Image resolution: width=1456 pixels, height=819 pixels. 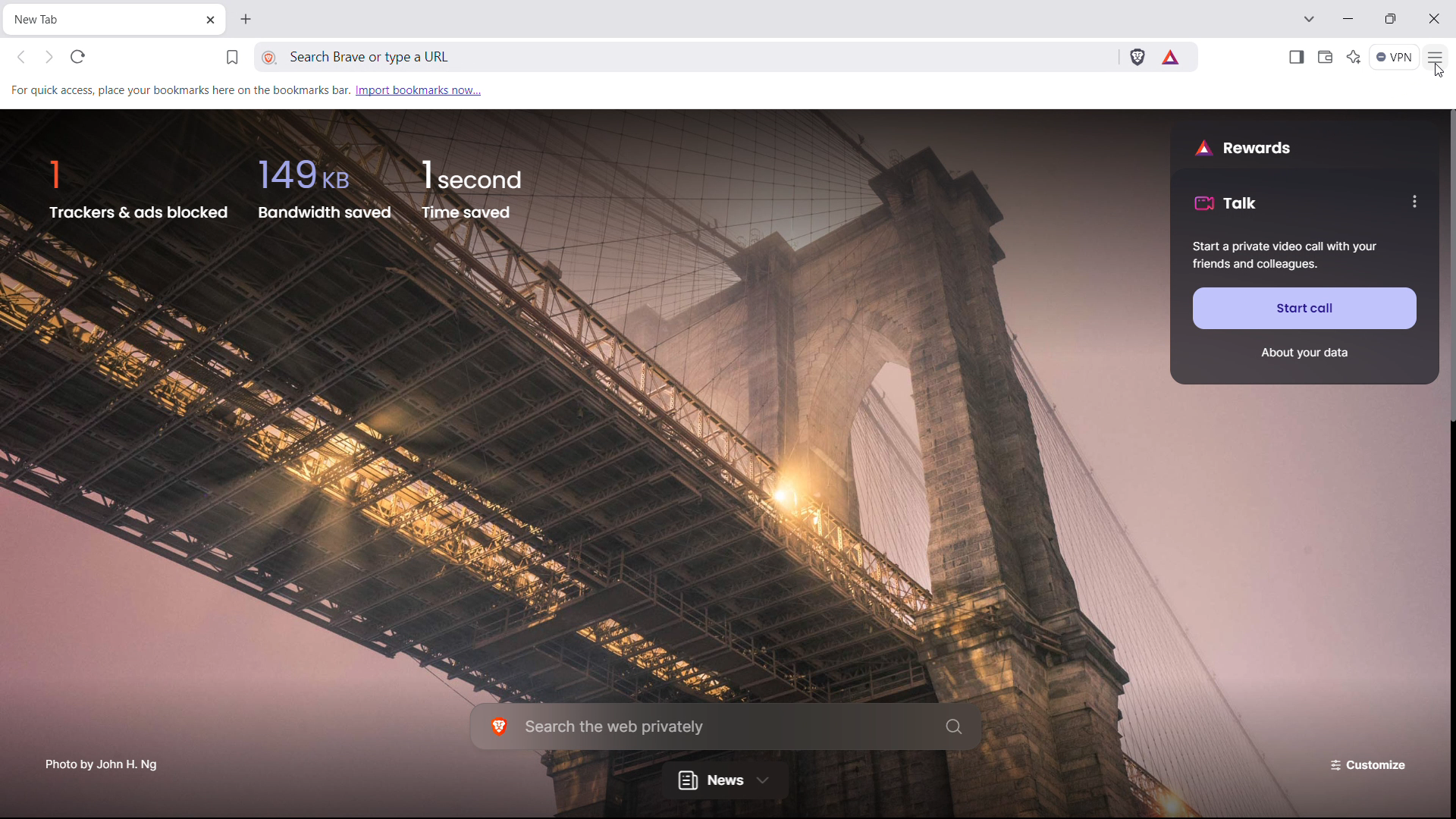 I want to click on show sidebar, so click(x=1296, y=56).